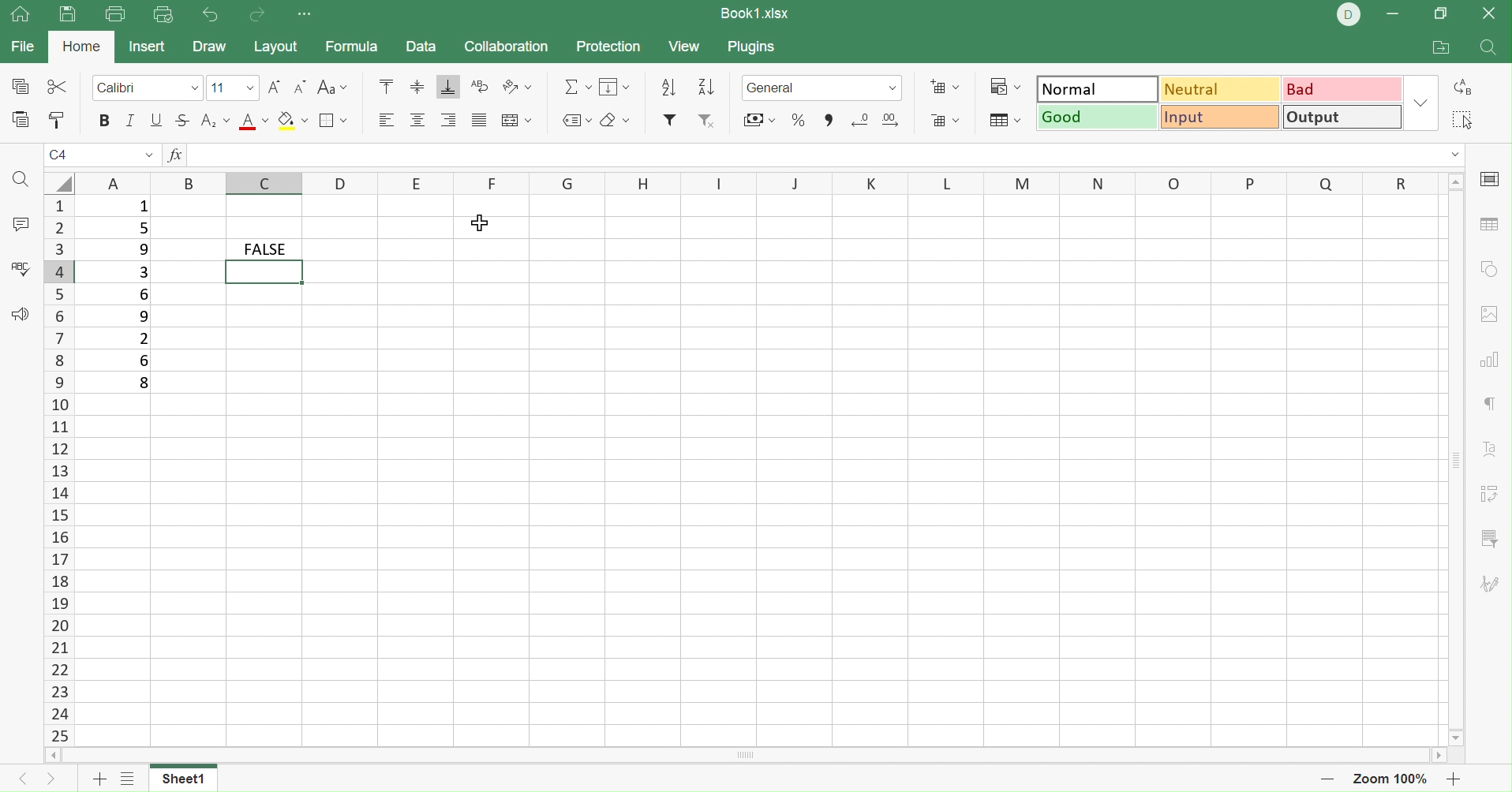 The height and width of the screenshot is (792, 1512). I want to click on Book1.xlsx, so click(754, 13).